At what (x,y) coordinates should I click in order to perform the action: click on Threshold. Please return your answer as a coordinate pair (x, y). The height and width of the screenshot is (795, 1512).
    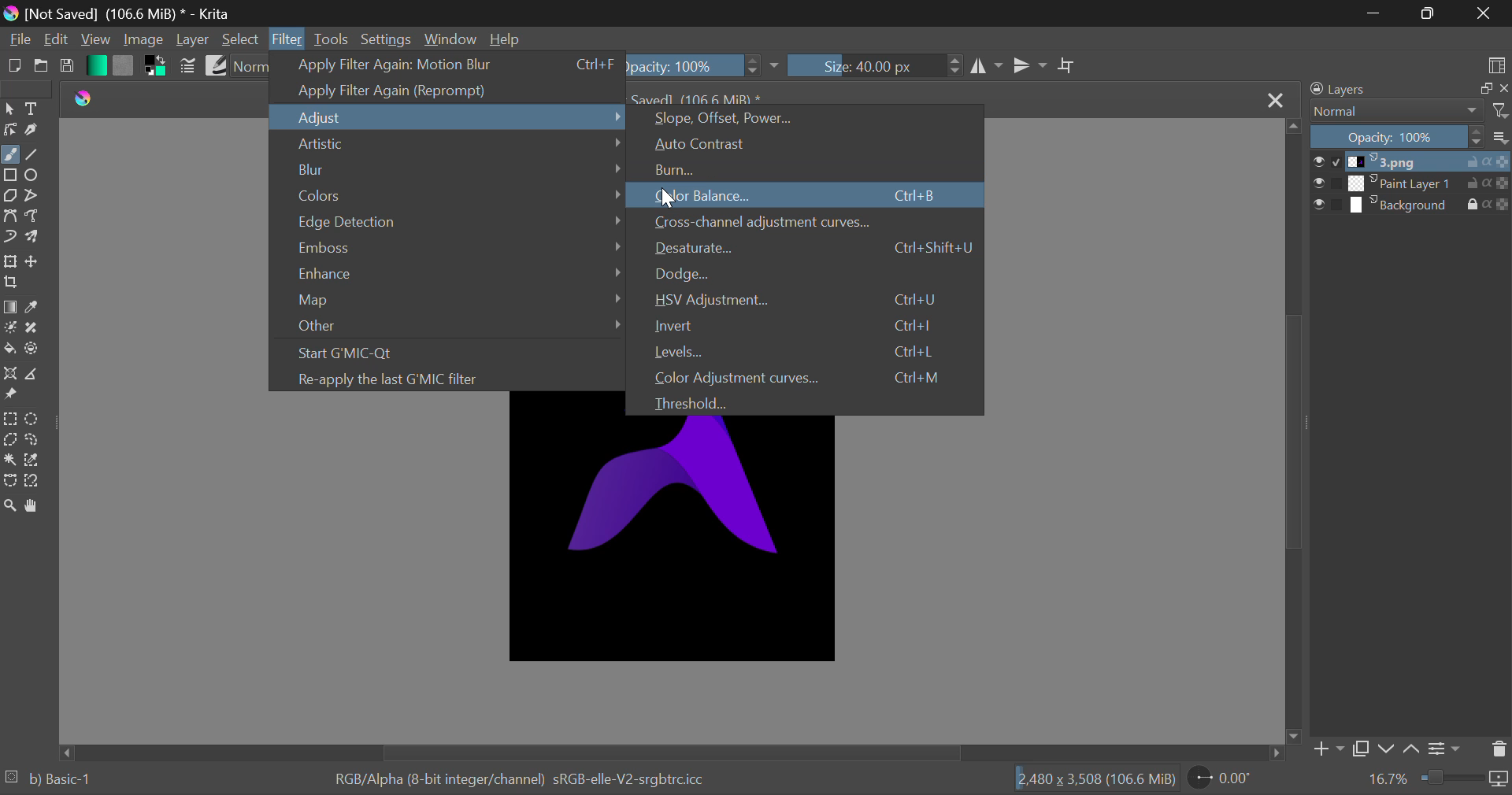
    Looking at the image, I should click on (809, 402).